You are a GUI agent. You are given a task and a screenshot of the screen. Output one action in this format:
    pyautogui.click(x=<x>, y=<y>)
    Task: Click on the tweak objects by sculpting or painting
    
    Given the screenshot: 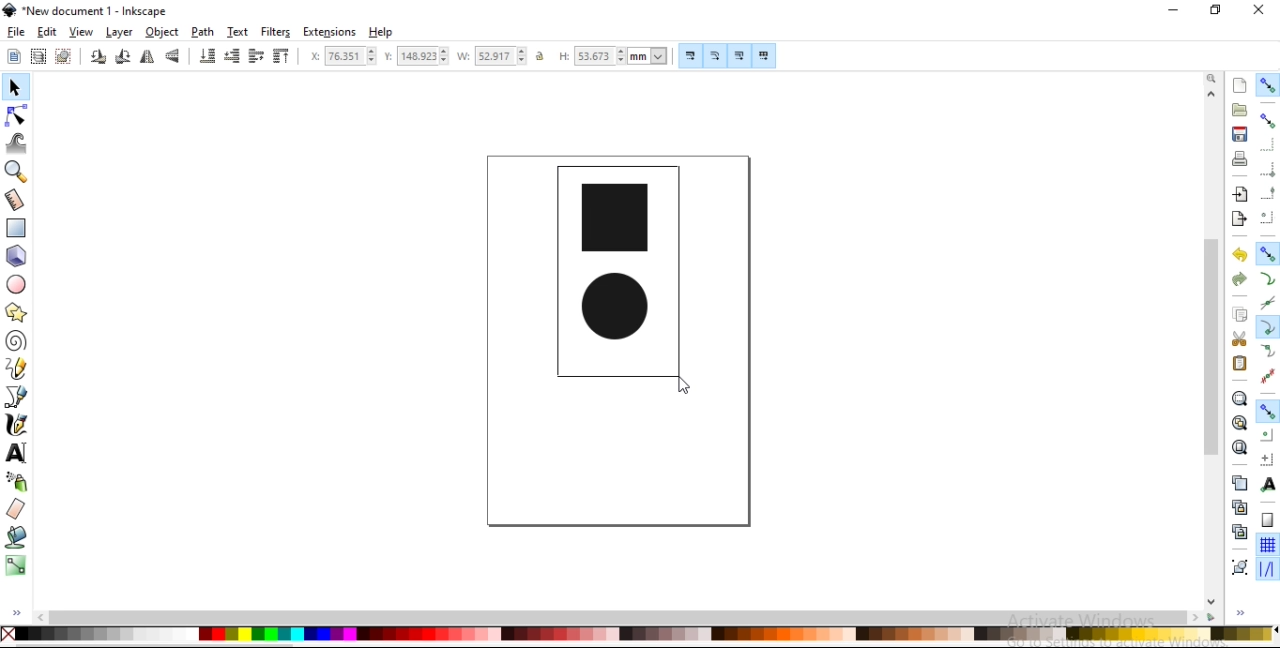 What is the action you would take?
    pyautogui.click(x=17, y=145)
    